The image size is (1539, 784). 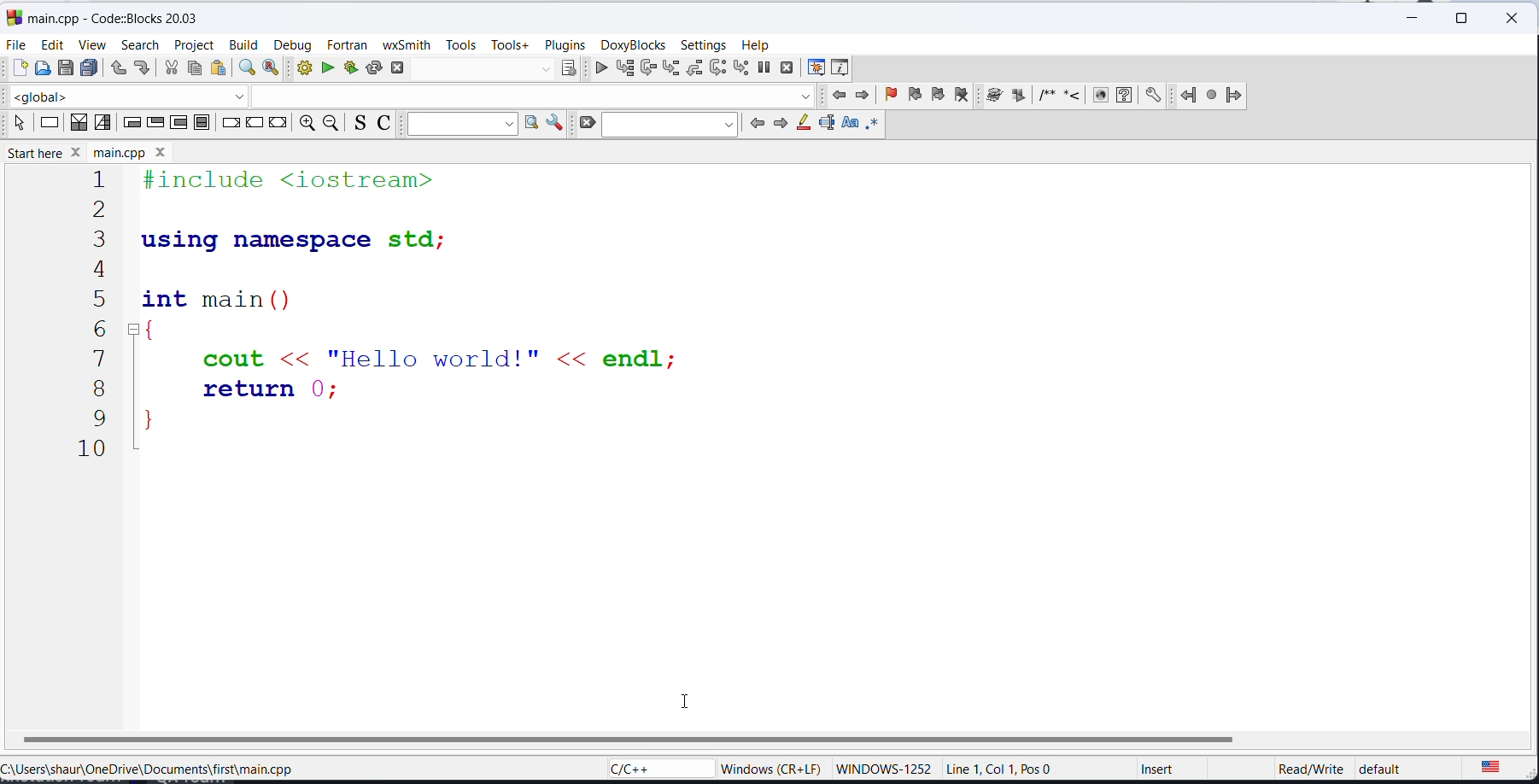 I want to click on search, so click(x=139, y=44).